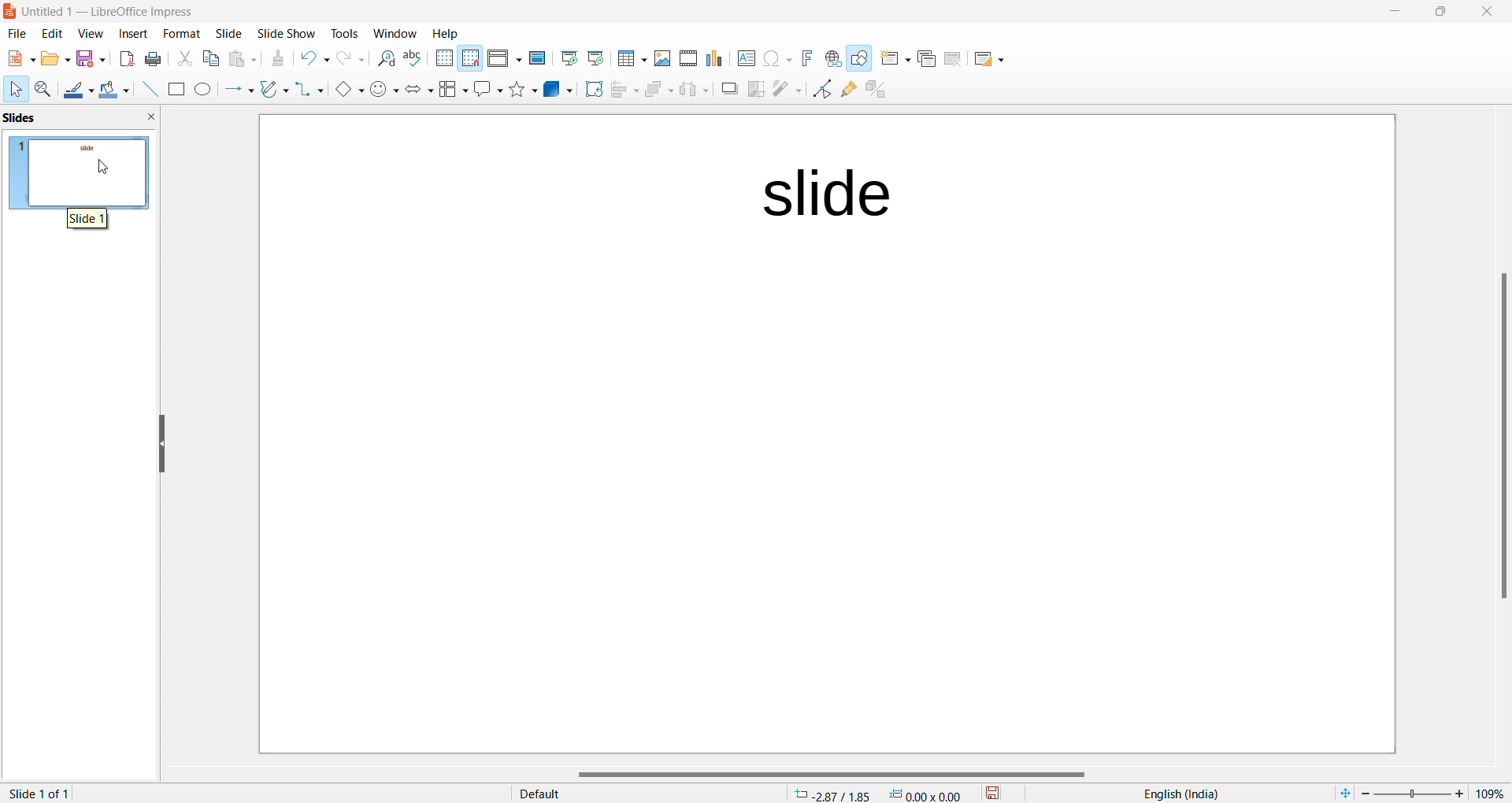 This screenshot has width=1512, height=803. What do you see at coordinates (929, 794) in the screenshot?
I see `dimension 0.00*0.00` at bounding box center [929, 794].